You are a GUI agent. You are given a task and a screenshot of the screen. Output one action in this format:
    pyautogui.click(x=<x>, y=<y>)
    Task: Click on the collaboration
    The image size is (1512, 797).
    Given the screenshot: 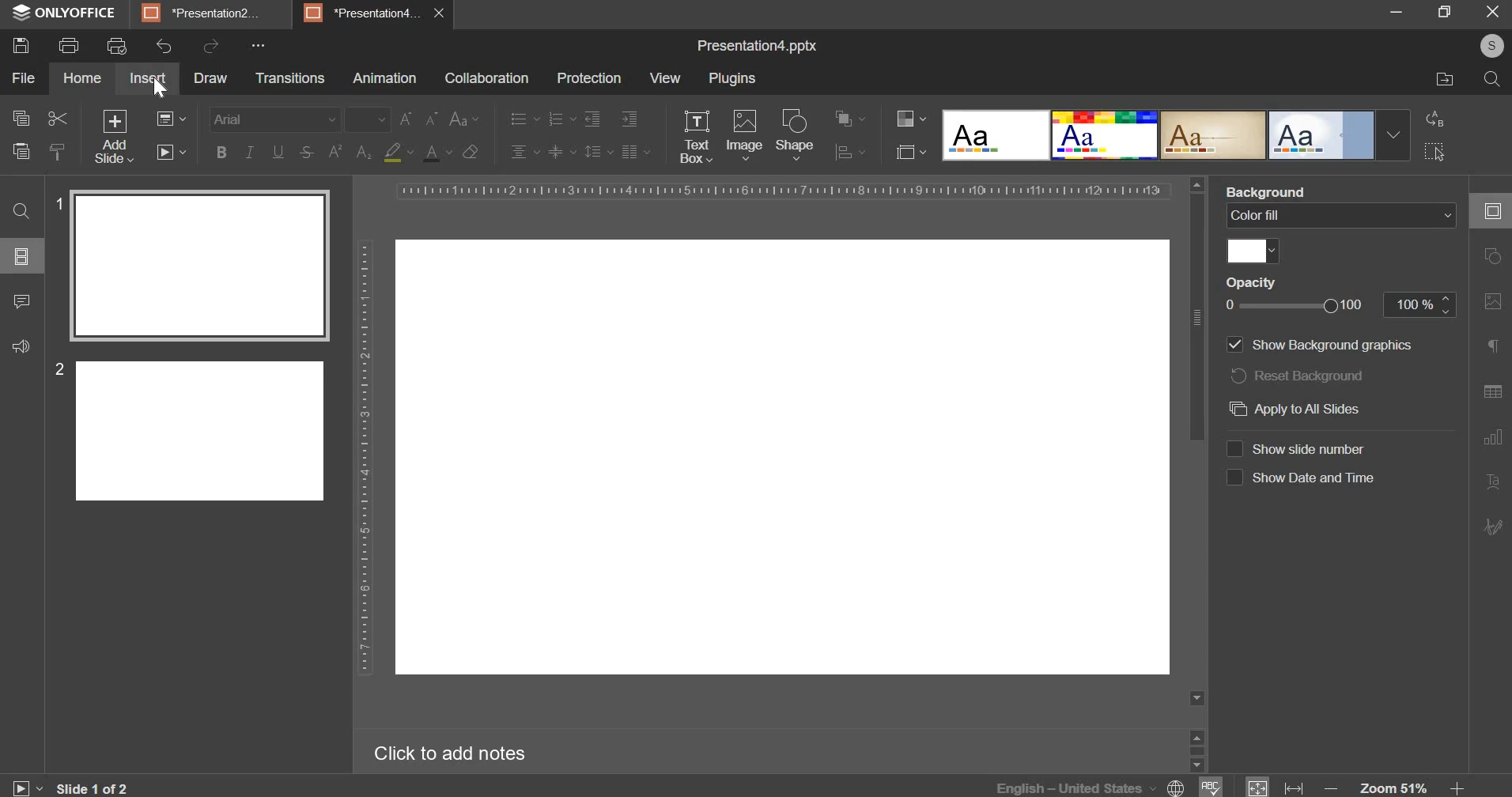 What is the action you would take?
    pyautogui.click(x=487, y=78)
    